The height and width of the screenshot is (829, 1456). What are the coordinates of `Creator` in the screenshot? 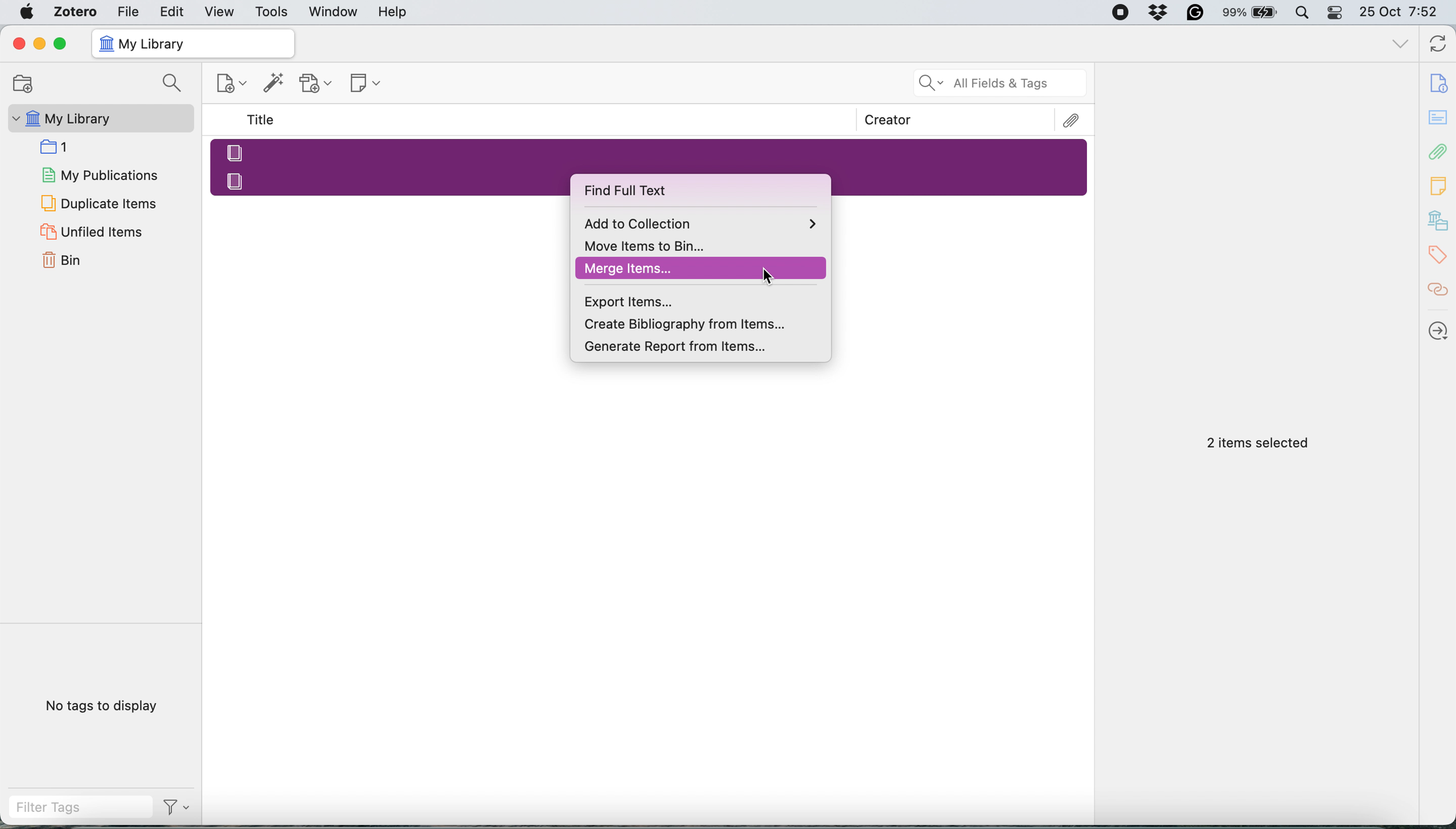 It's located at (888, 120).